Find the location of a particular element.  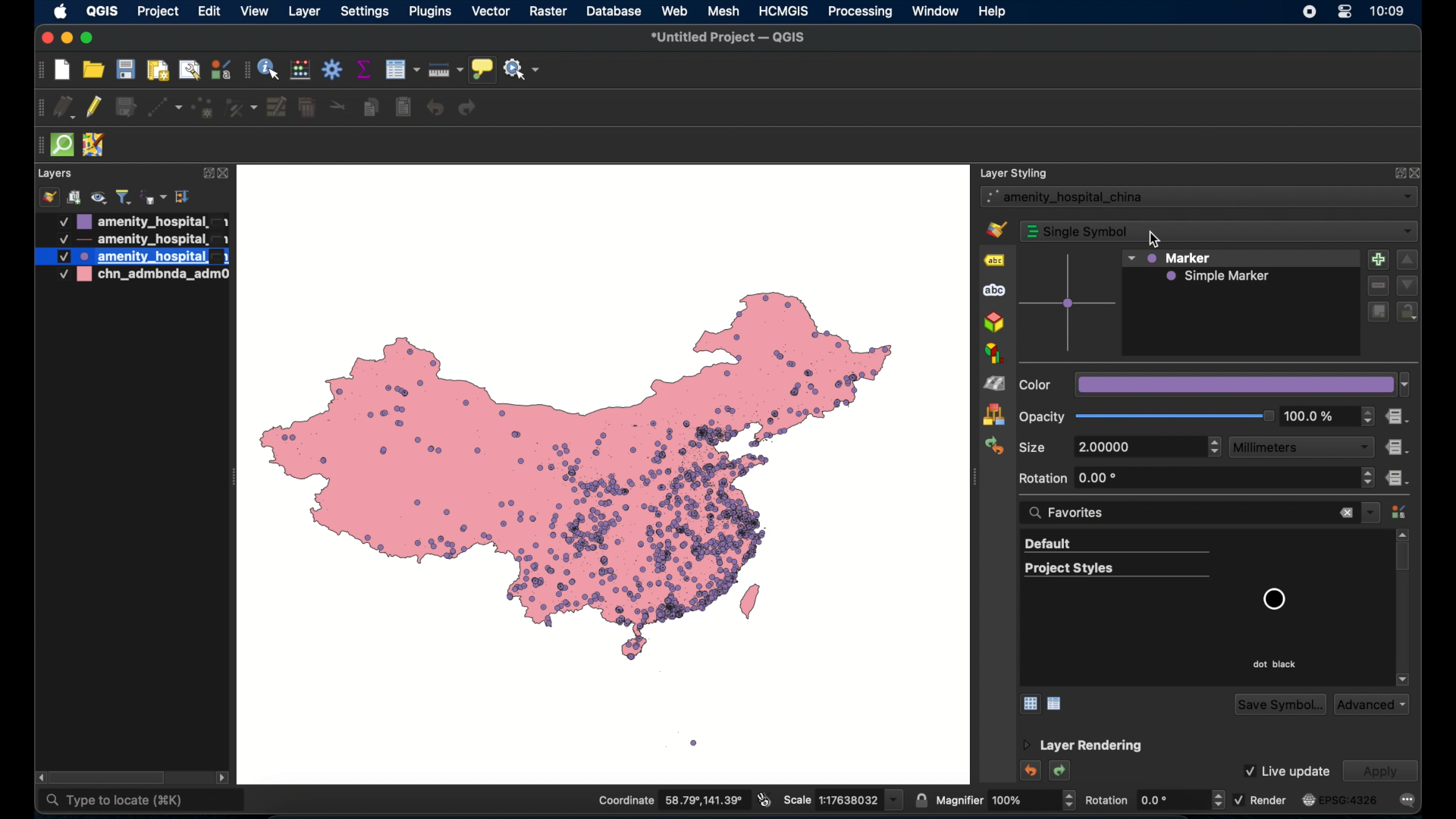

cut features is located at coordinates (338, 107).